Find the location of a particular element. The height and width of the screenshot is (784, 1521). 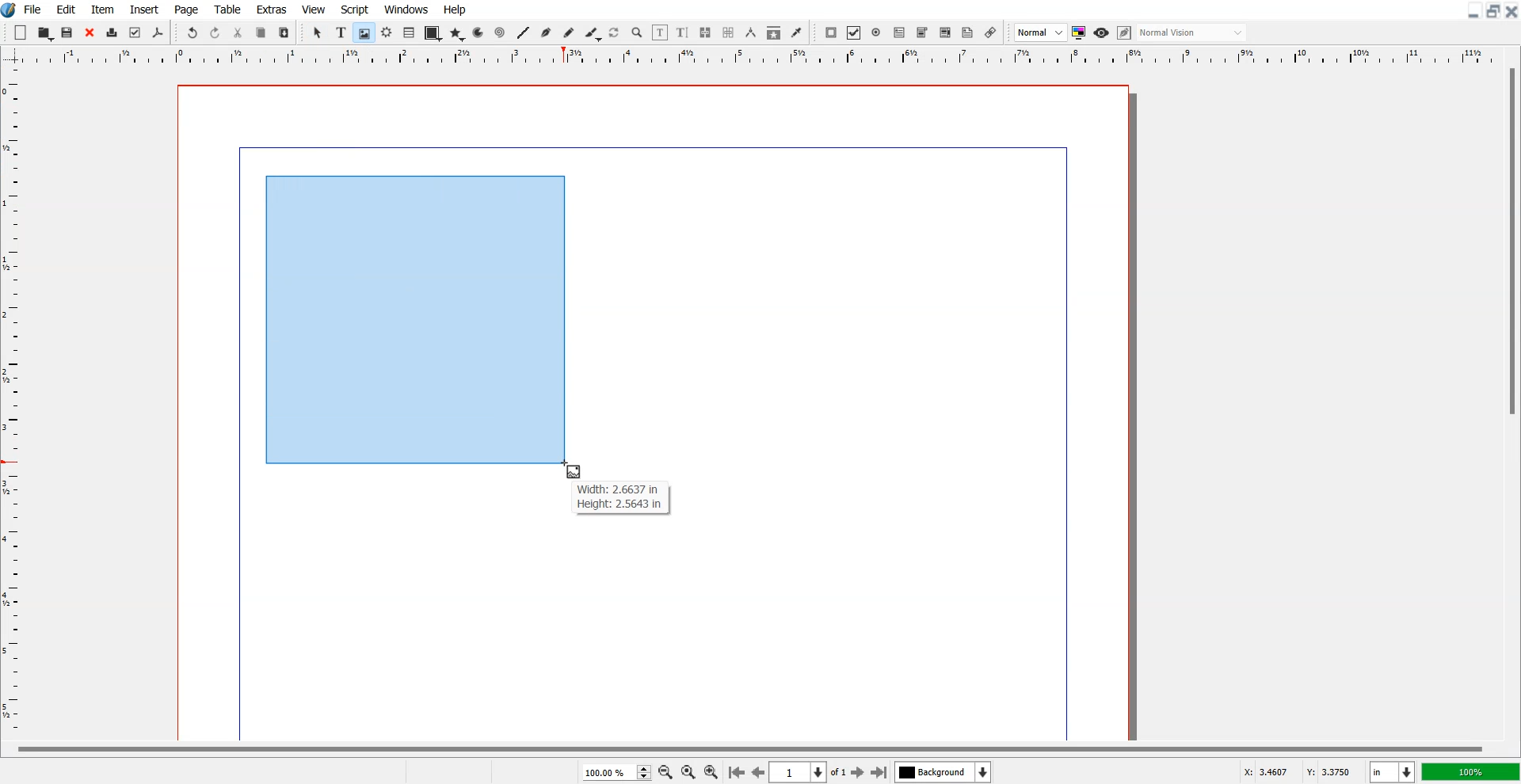

Text Annotation is located at coordinates (968, 33).